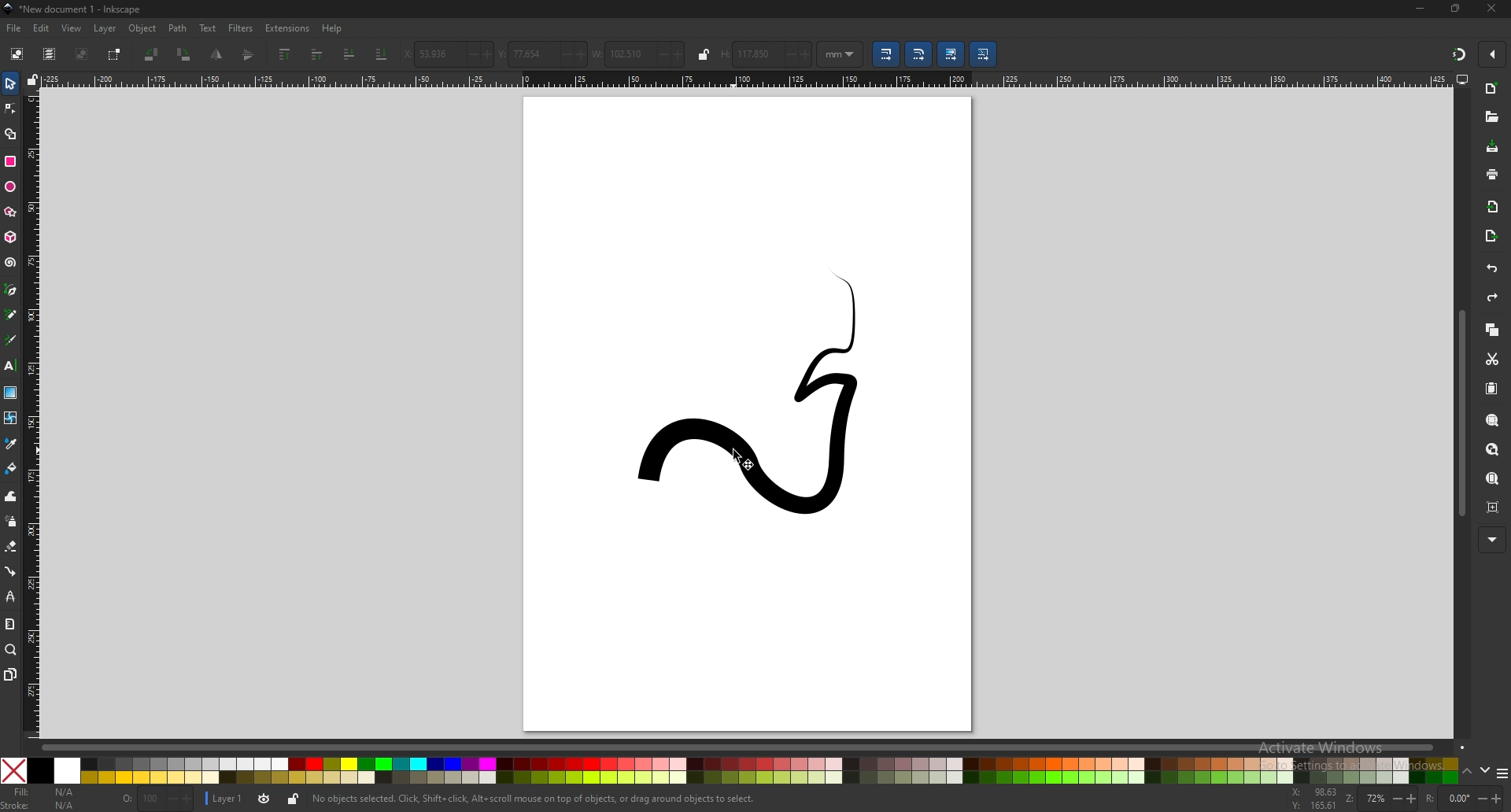  I want to click on vertical ruler, so click(34, 415).